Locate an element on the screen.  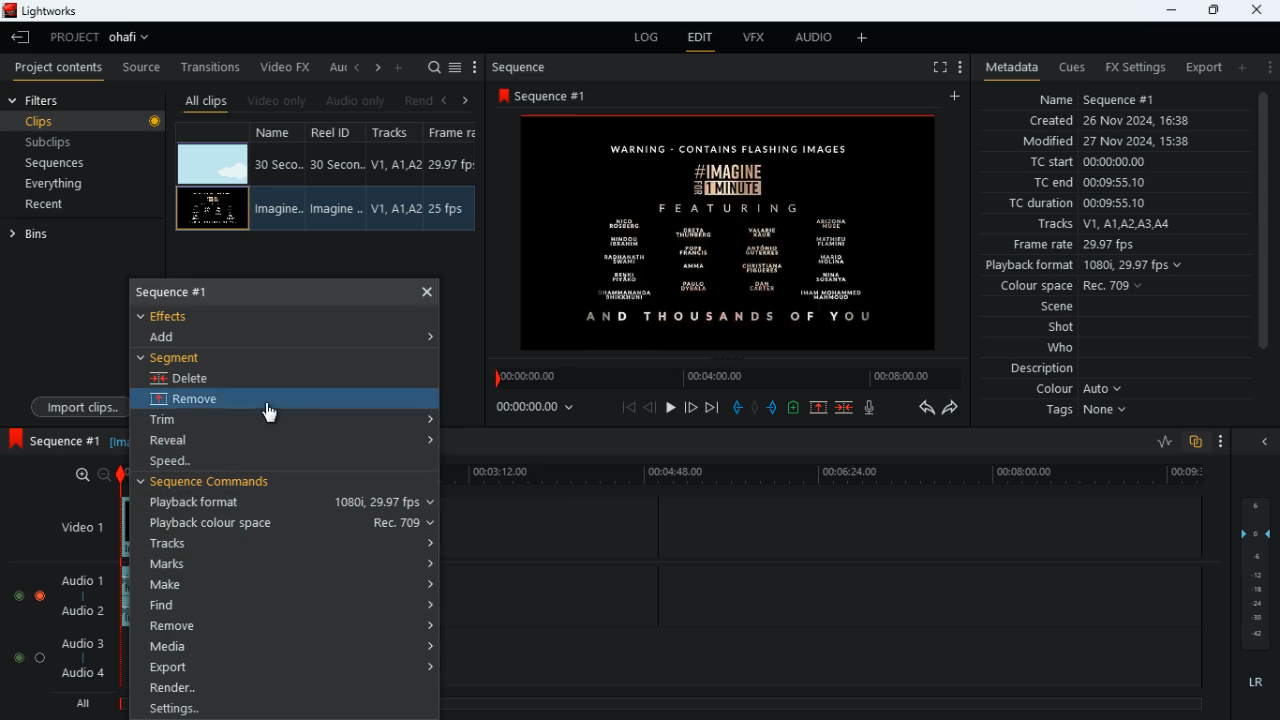
speed is located at coordinates (203, 460).